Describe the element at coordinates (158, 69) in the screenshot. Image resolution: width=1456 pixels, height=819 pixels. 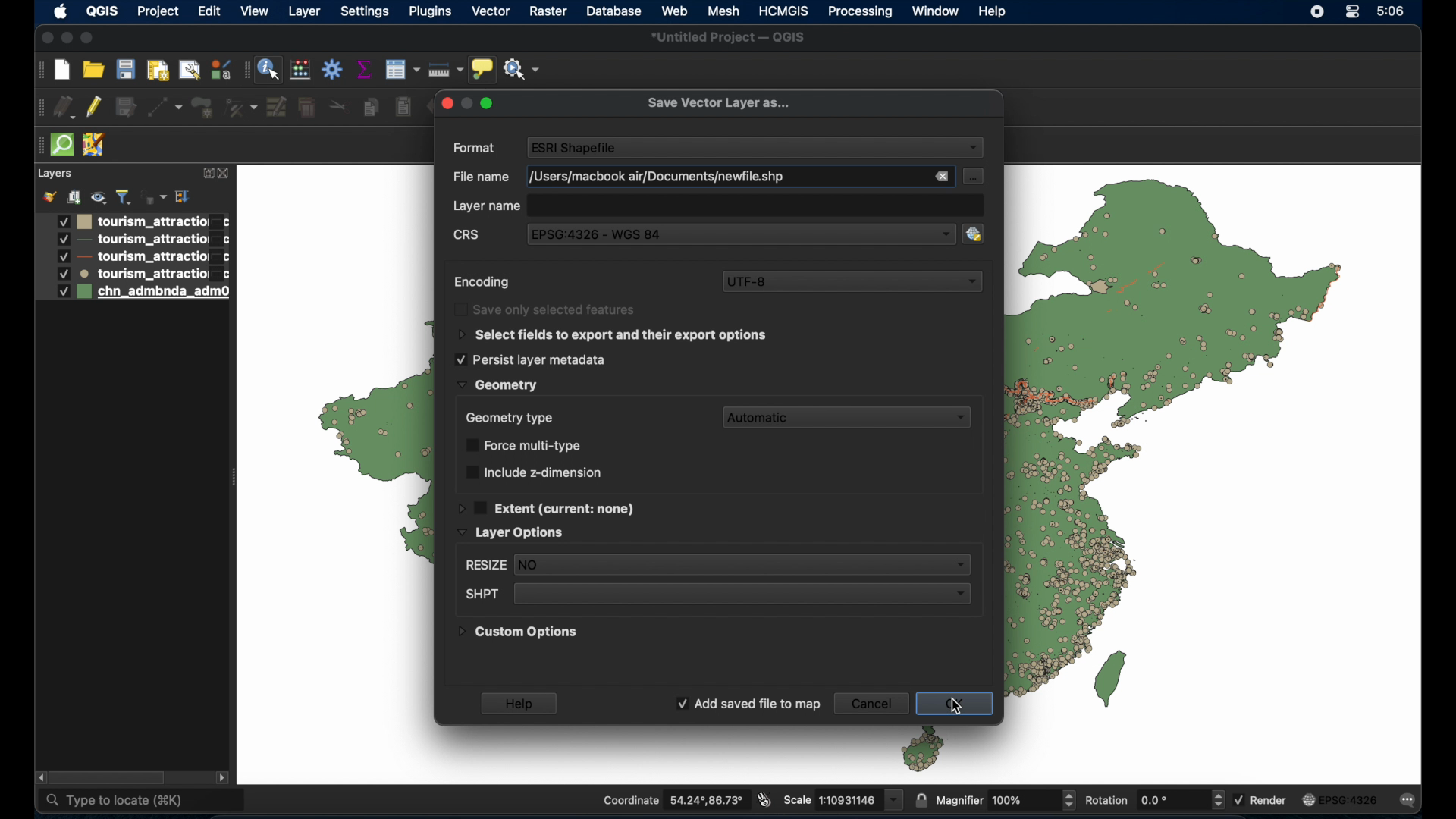
I see `print layout` at that location.